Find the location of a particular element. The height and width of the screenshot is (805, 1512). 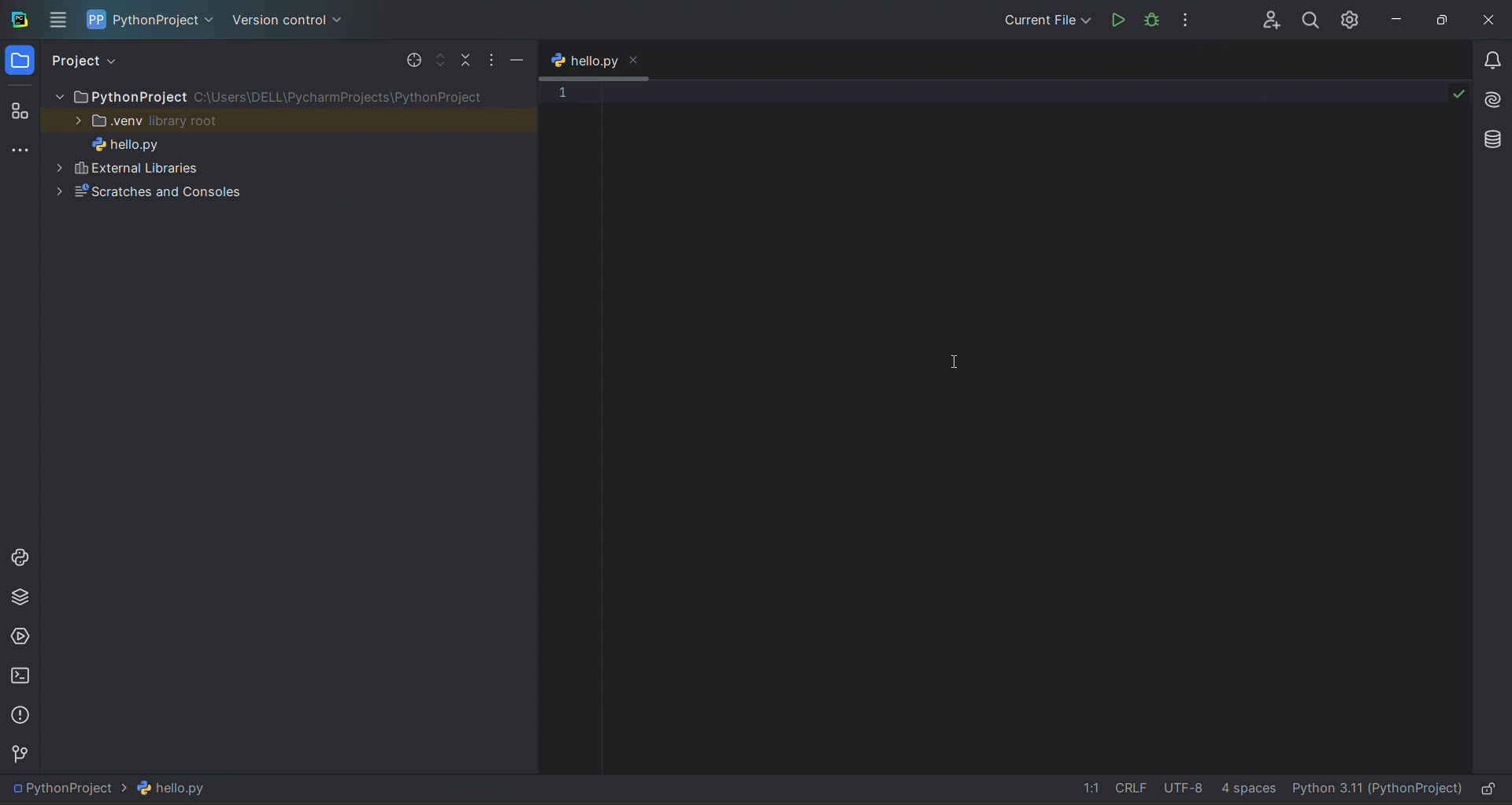

file path is located at coordinates (115, 789).